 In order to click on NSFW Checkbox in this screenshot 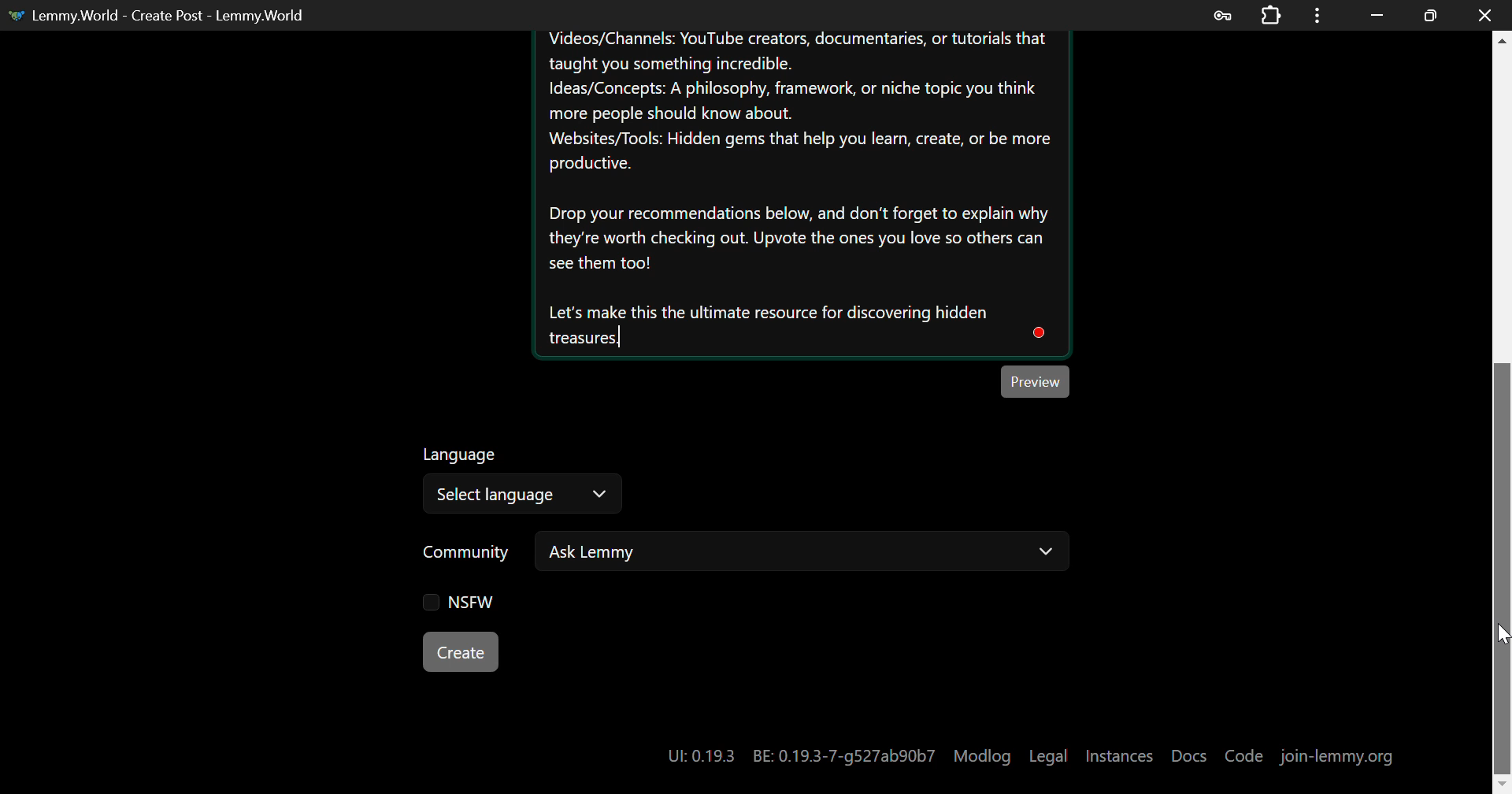, I will do `click(452, 603)`.